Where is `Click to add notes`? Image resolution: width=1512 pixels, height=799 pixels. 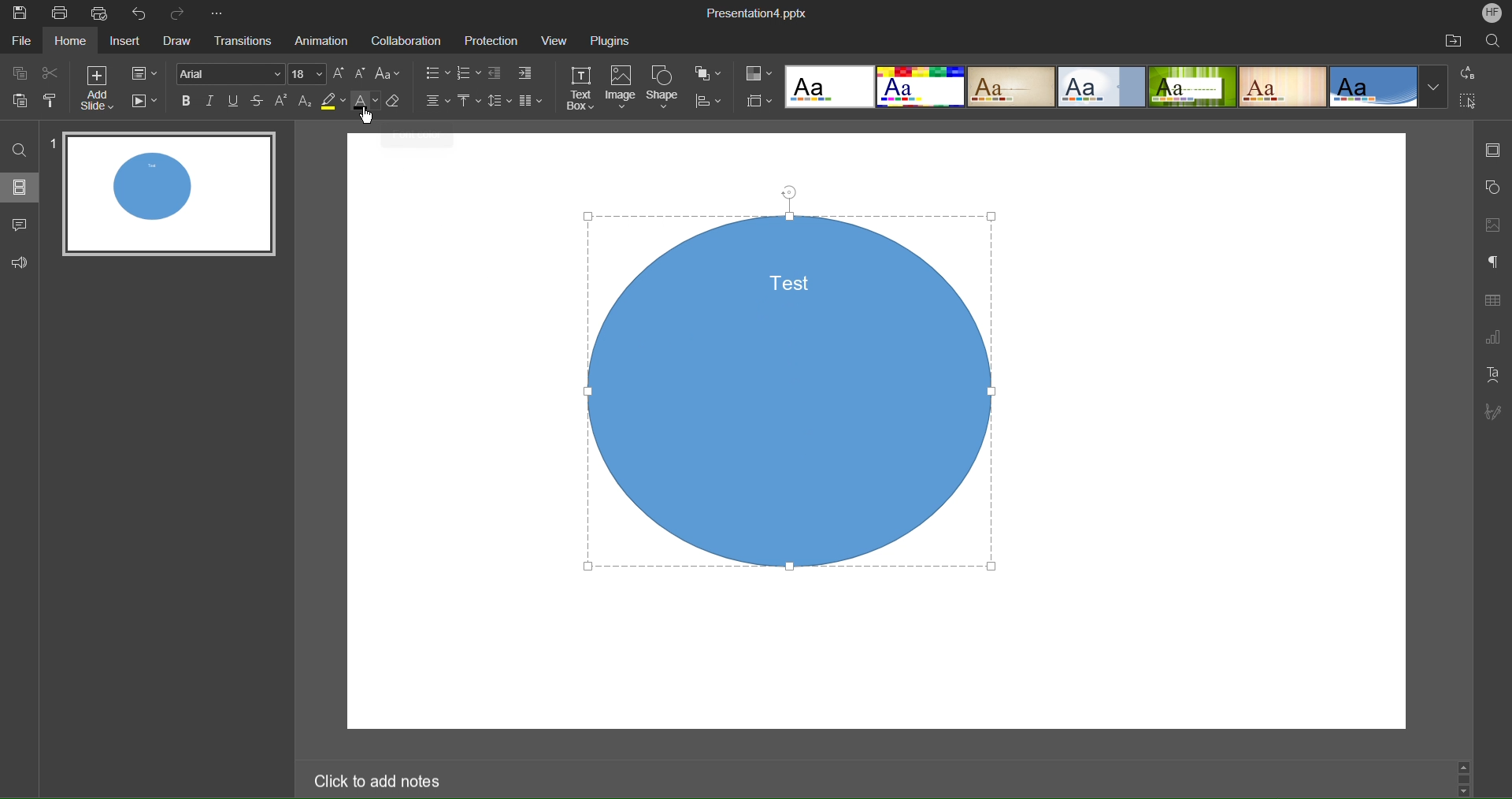
Click to add notes is located at coordinates (377, 780).